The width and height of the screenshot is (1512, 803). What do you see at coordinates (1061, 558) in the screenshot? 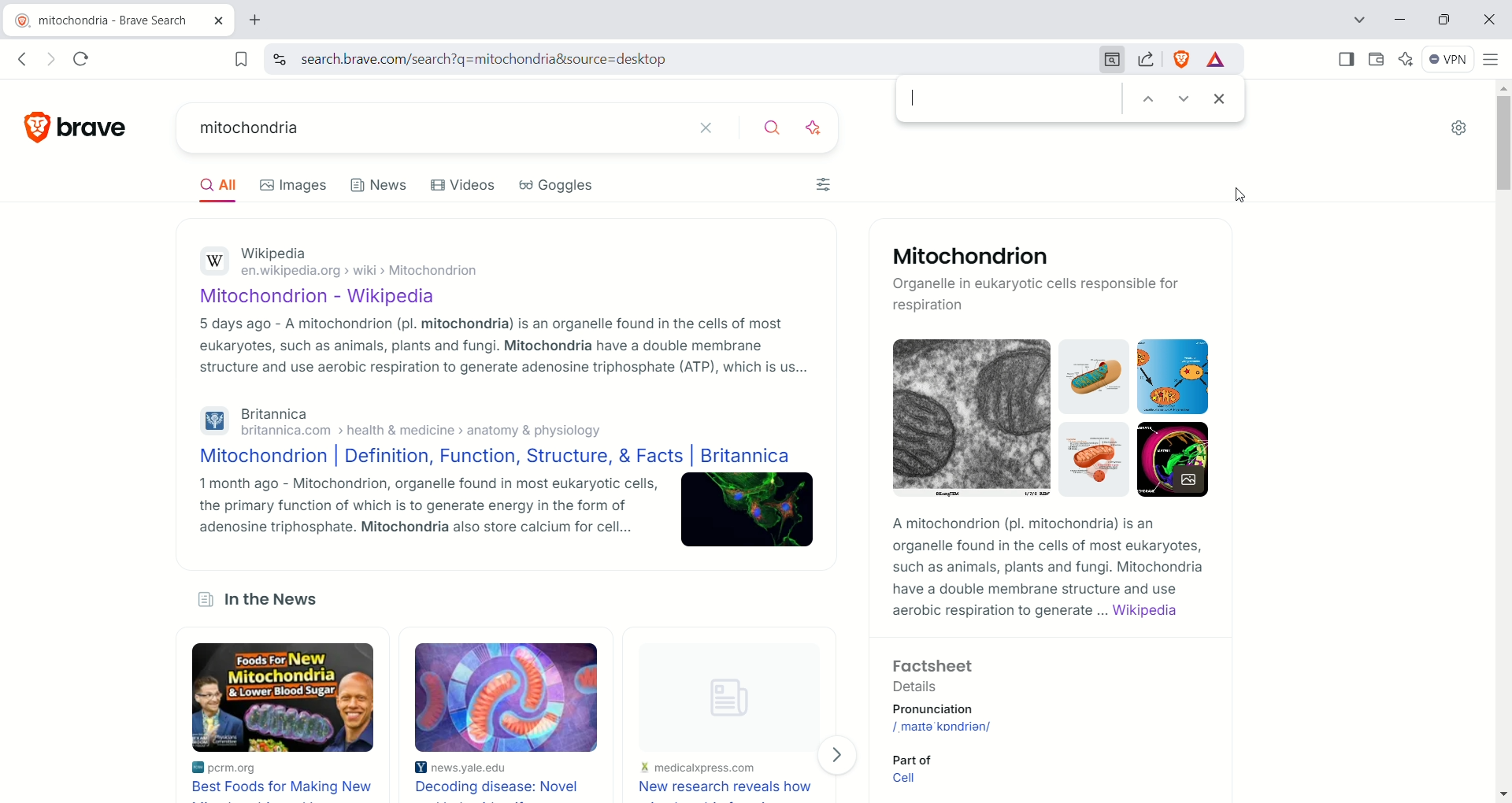
I see `A mitochondrion (pl. mitochondria) Is an organelle found in the cells of most eukaryotes, such as animals, plants and fungi. Mitochondria have a double membrane structure and use` at bounding box center [1061, 558].